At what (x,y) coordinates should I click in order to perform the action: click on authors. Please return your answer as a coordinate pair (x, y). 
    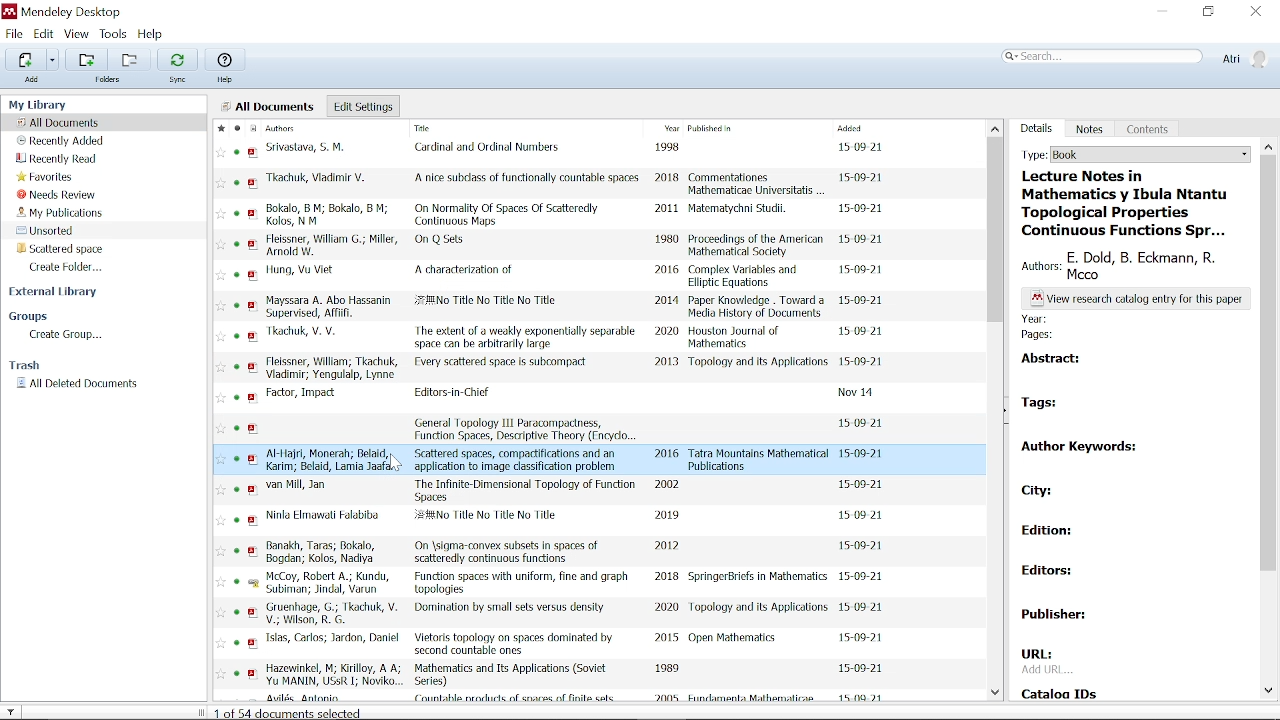
    Looking at the image, I should click on (324, 515).